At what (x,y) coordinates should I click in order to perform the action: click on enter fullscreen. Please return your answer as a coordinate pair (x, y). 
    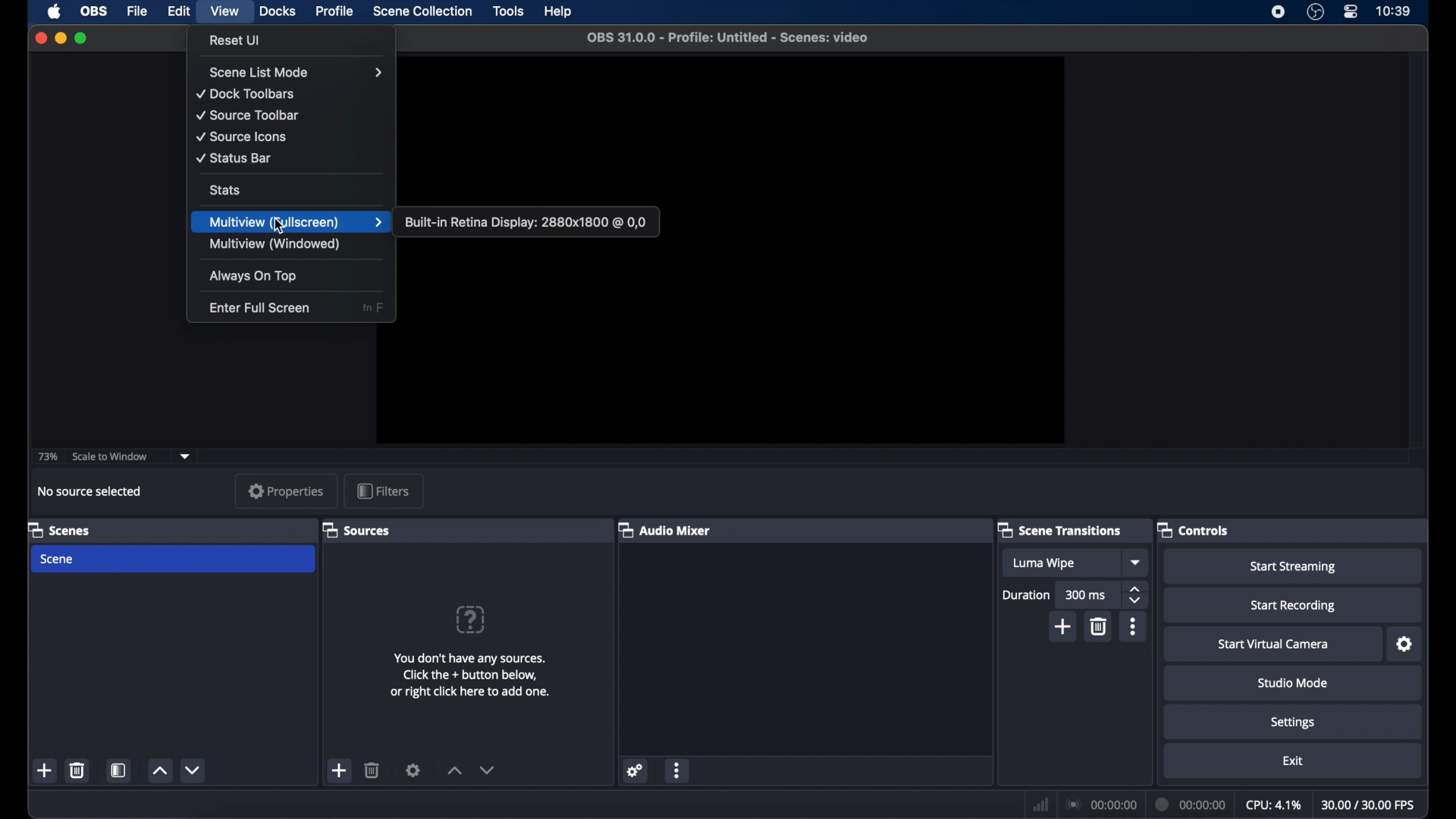
    Looking at the image, I should click on (259, 309).